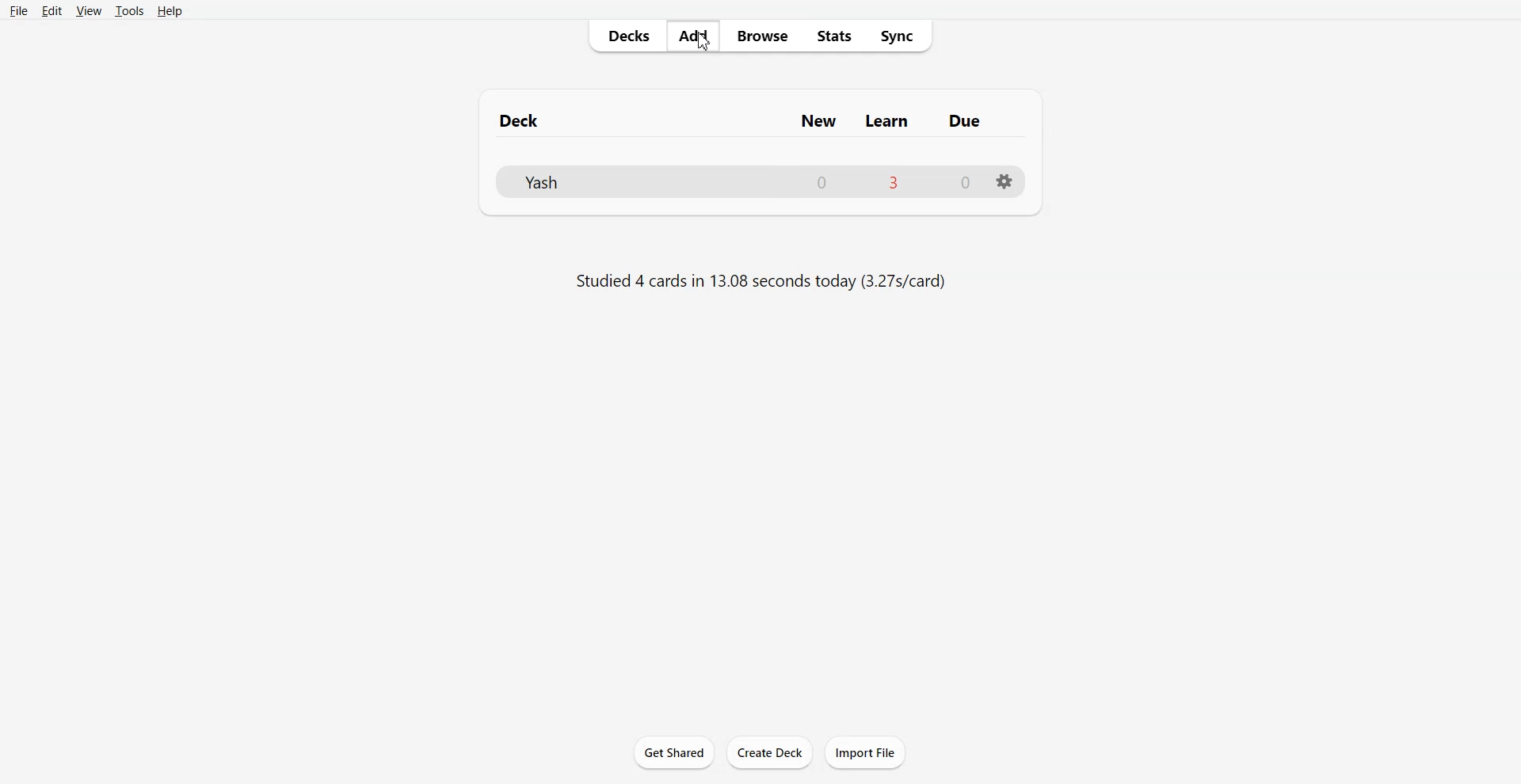 Image resolution: width=1521 pixels, height=784 pixels. I want to click on Get Shared, so click(674, 752).